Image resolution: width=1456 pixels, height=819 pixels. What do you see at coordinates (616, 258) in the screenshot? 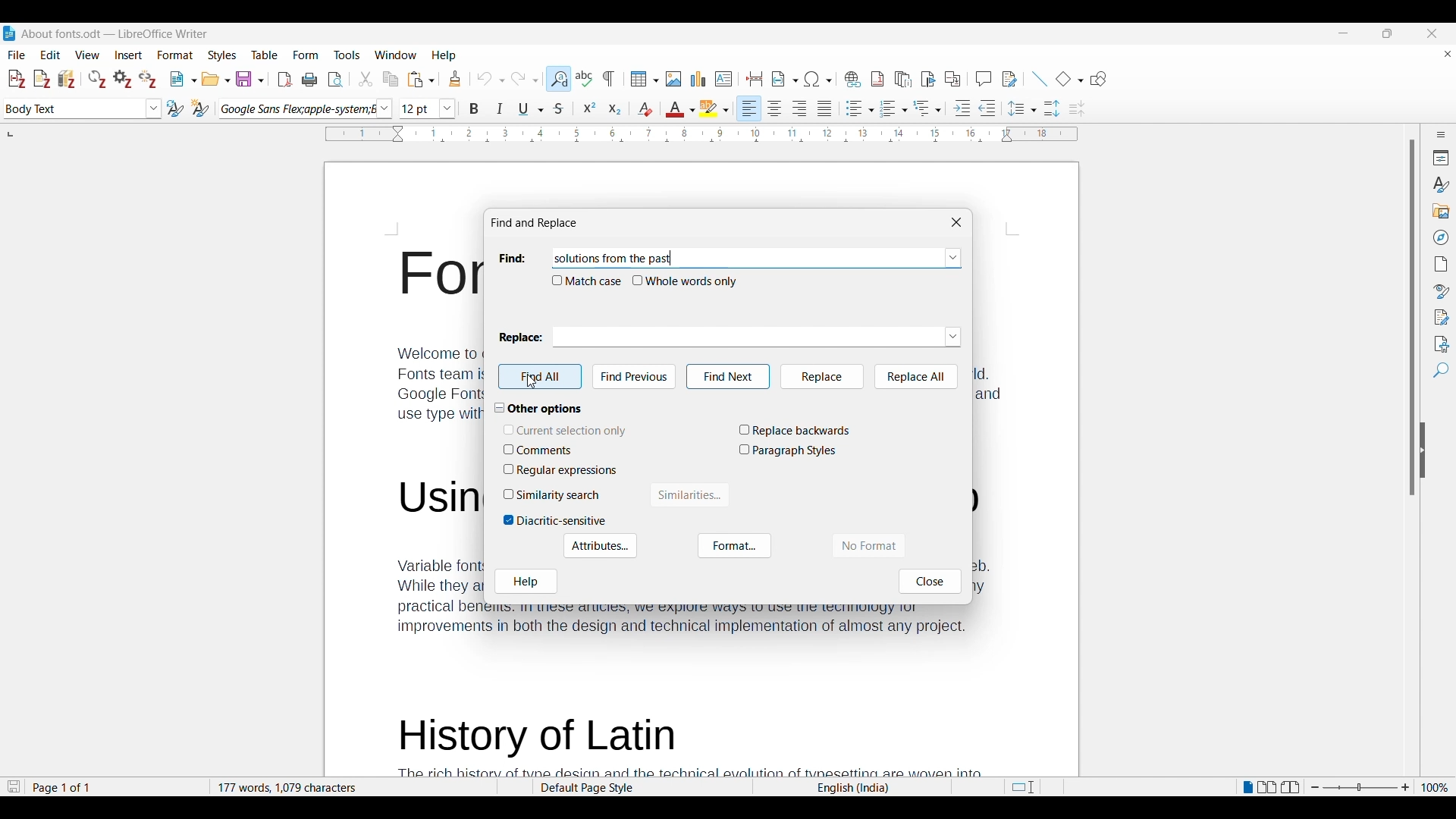
I see `Text pasted` at bounding box center [616, 258].